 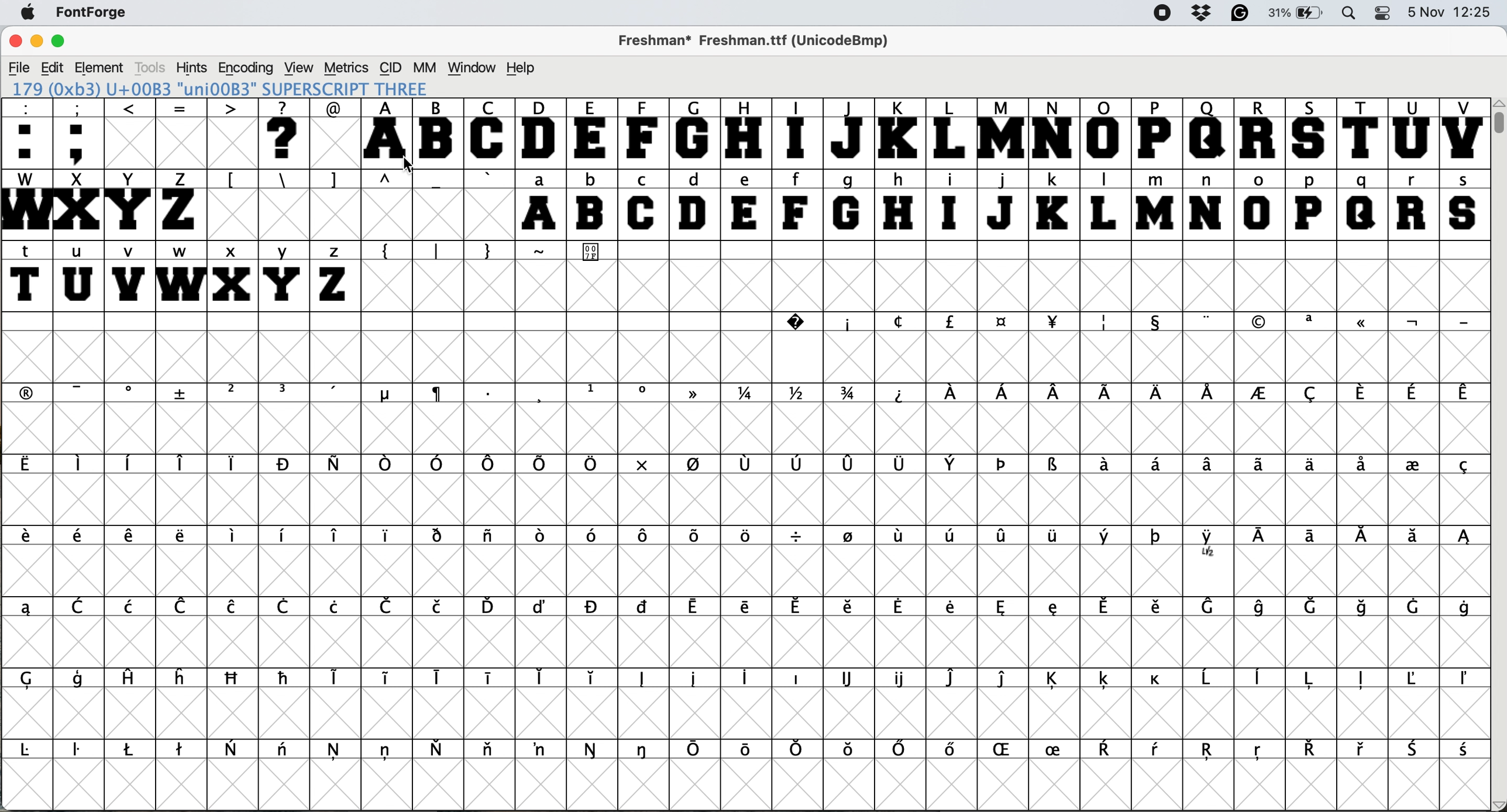 What do you see at coordinates (798, 536) in the screenshot?
I see `symbol` at bounding box center [798, 536].